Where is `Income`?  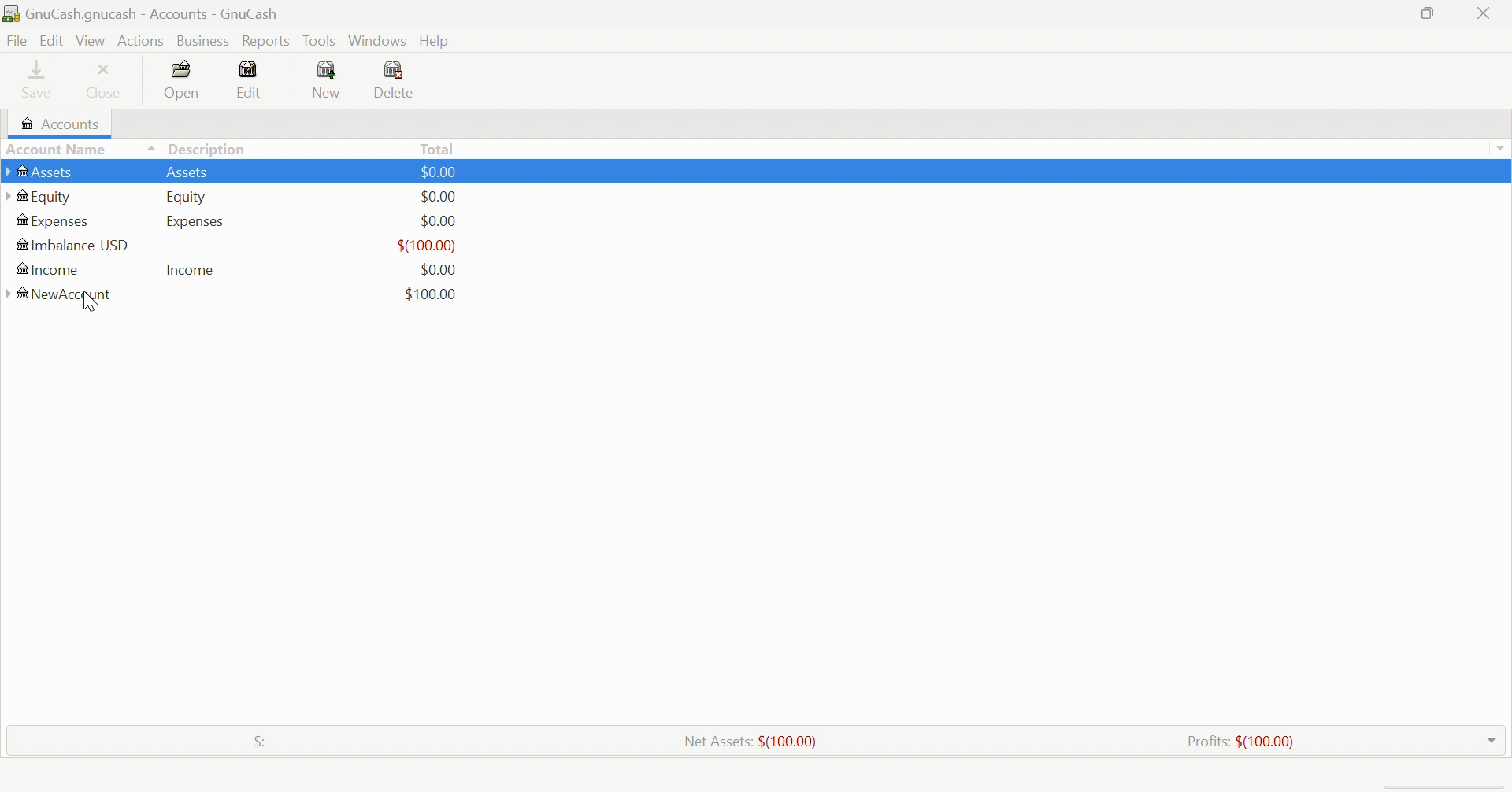 Income is located at coordinates (191, 271).